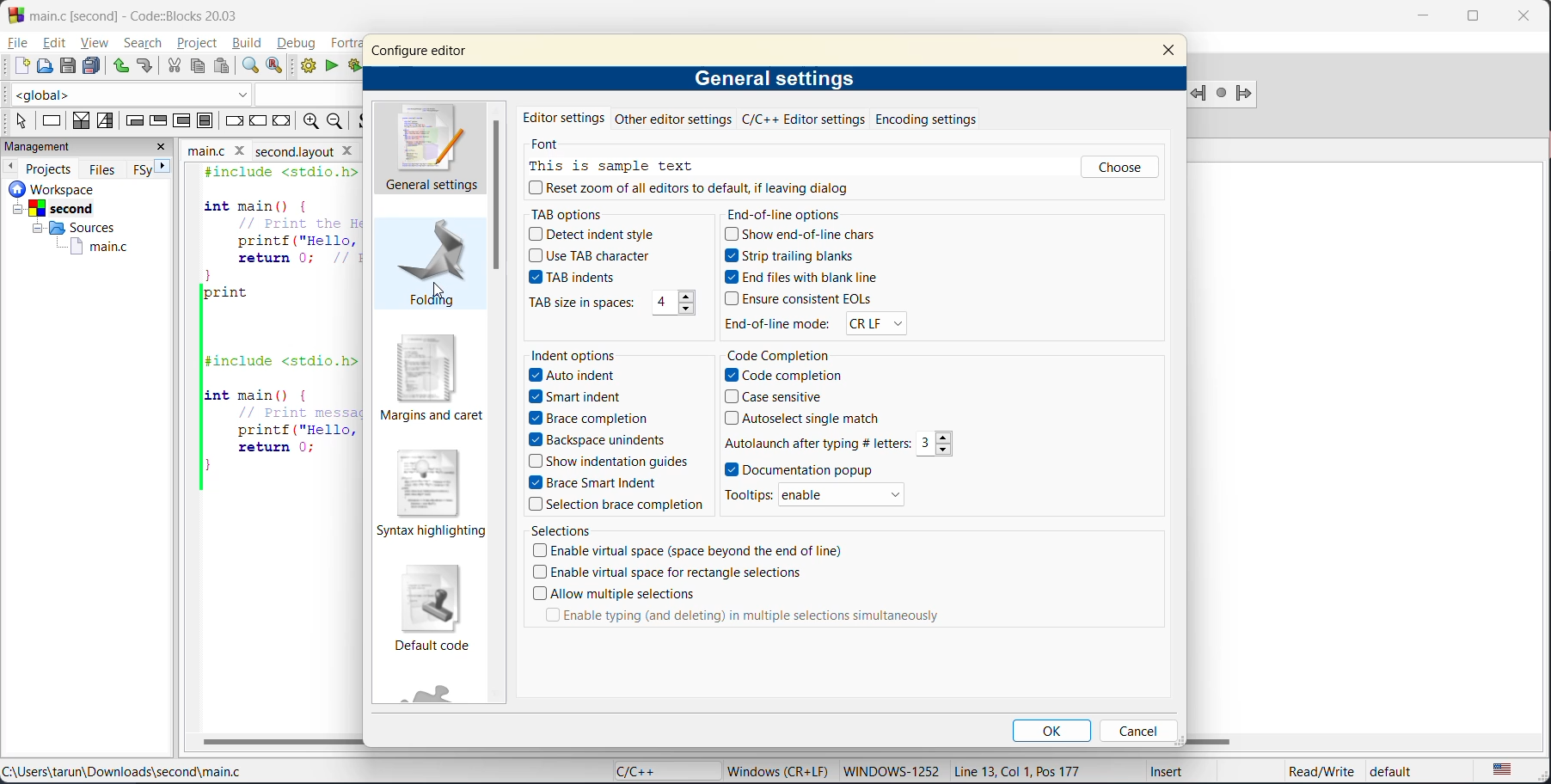  What do you see at coordinates (1055, 733) in the screenshot?
I see `ok` at bounding box center [1055, 733].